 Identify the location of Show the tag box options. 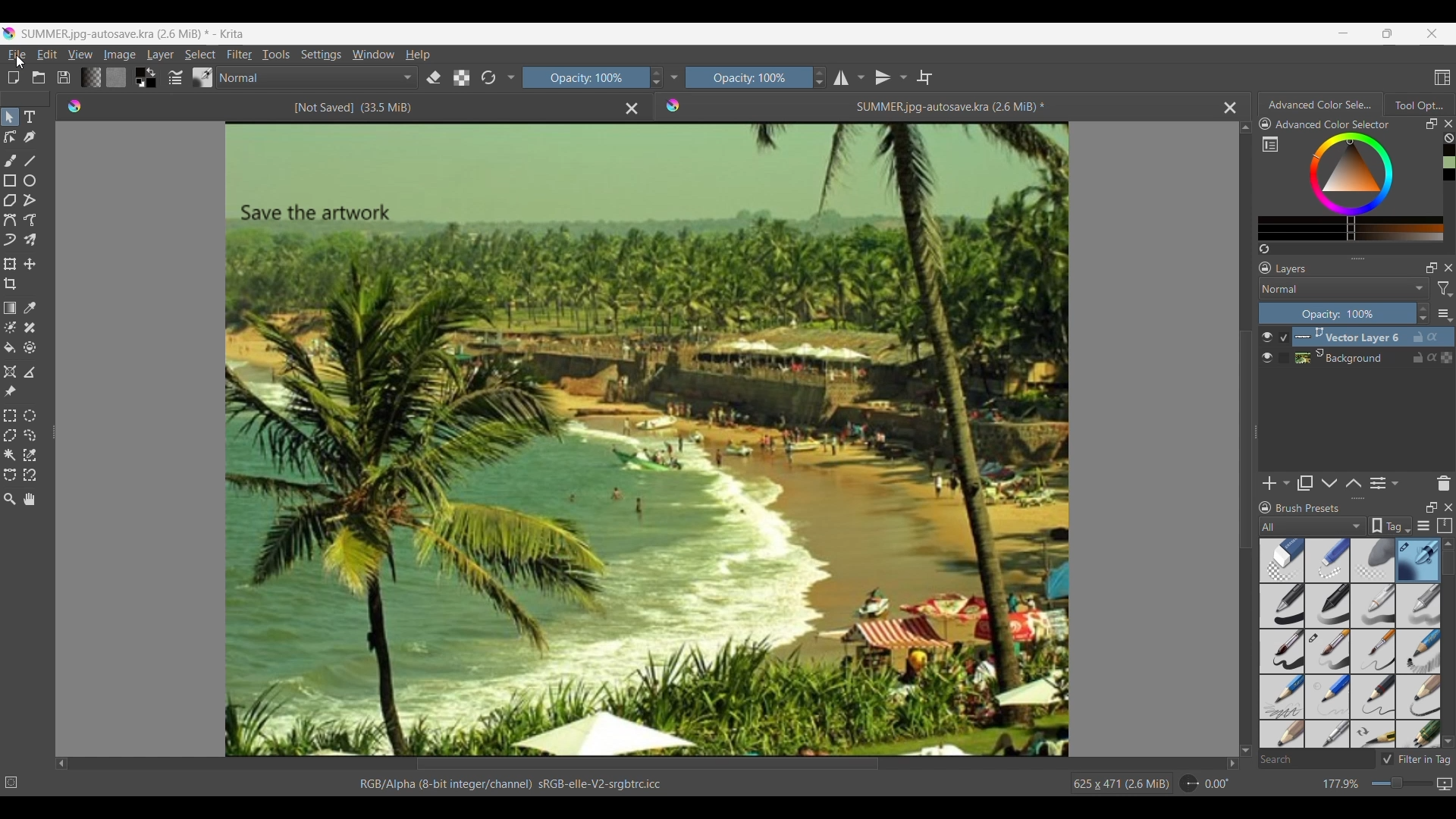
(1390, 526).